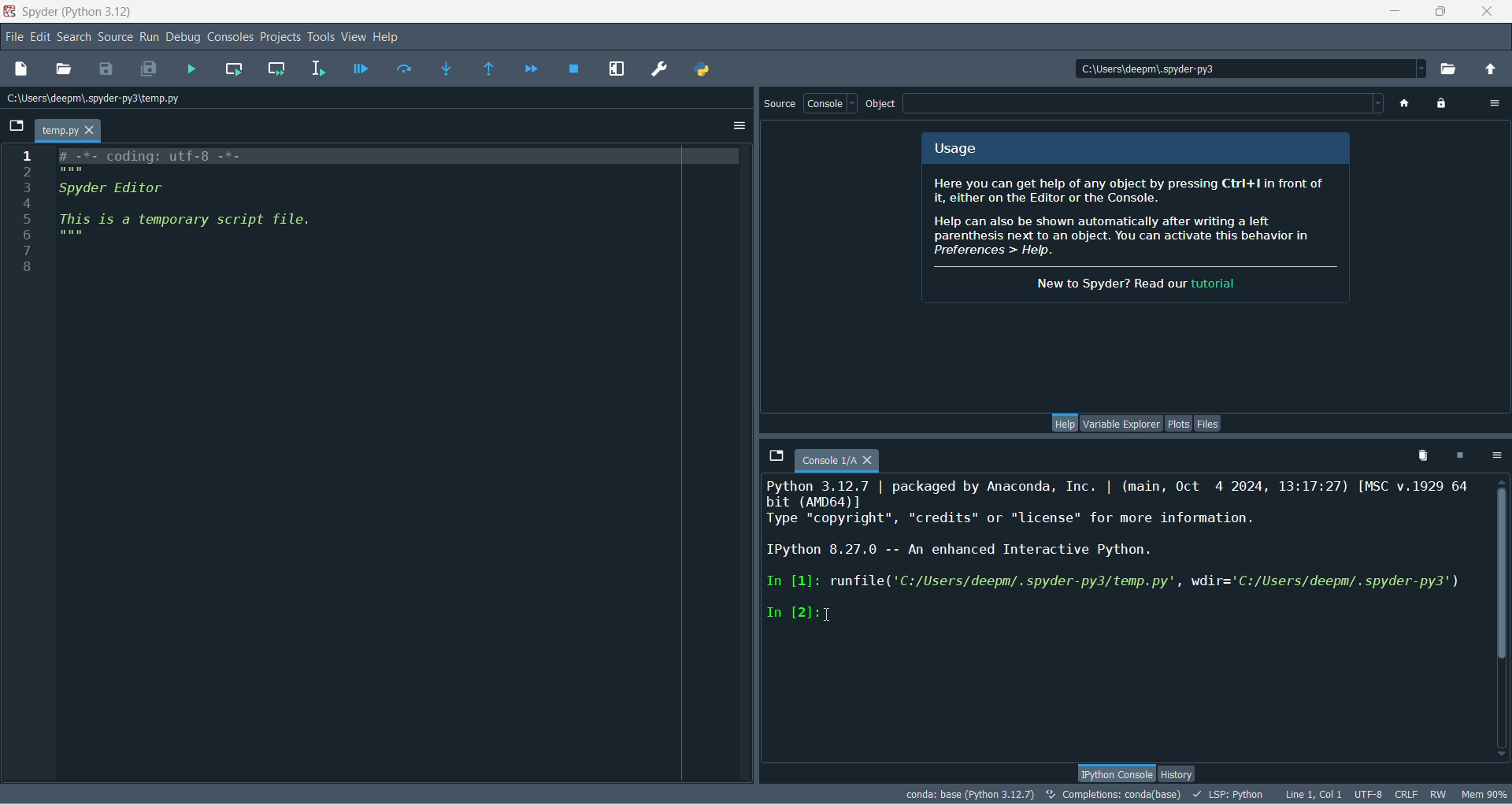 The image size is (1512, 805). I want to click on logo, so click(9, 13).